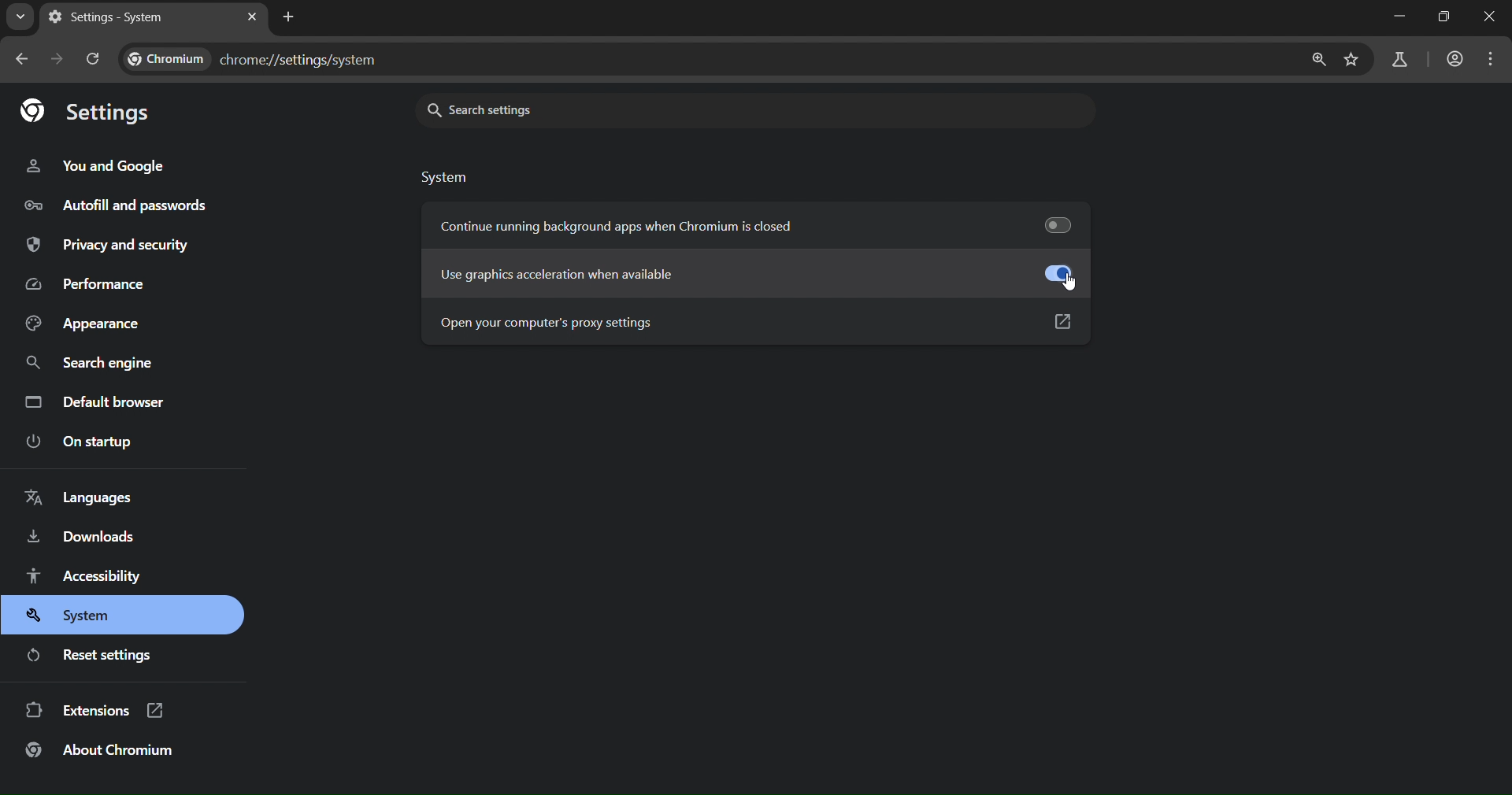 This screenshot has height=795, width=1512. I want to click on search engine, so click(88, 364).